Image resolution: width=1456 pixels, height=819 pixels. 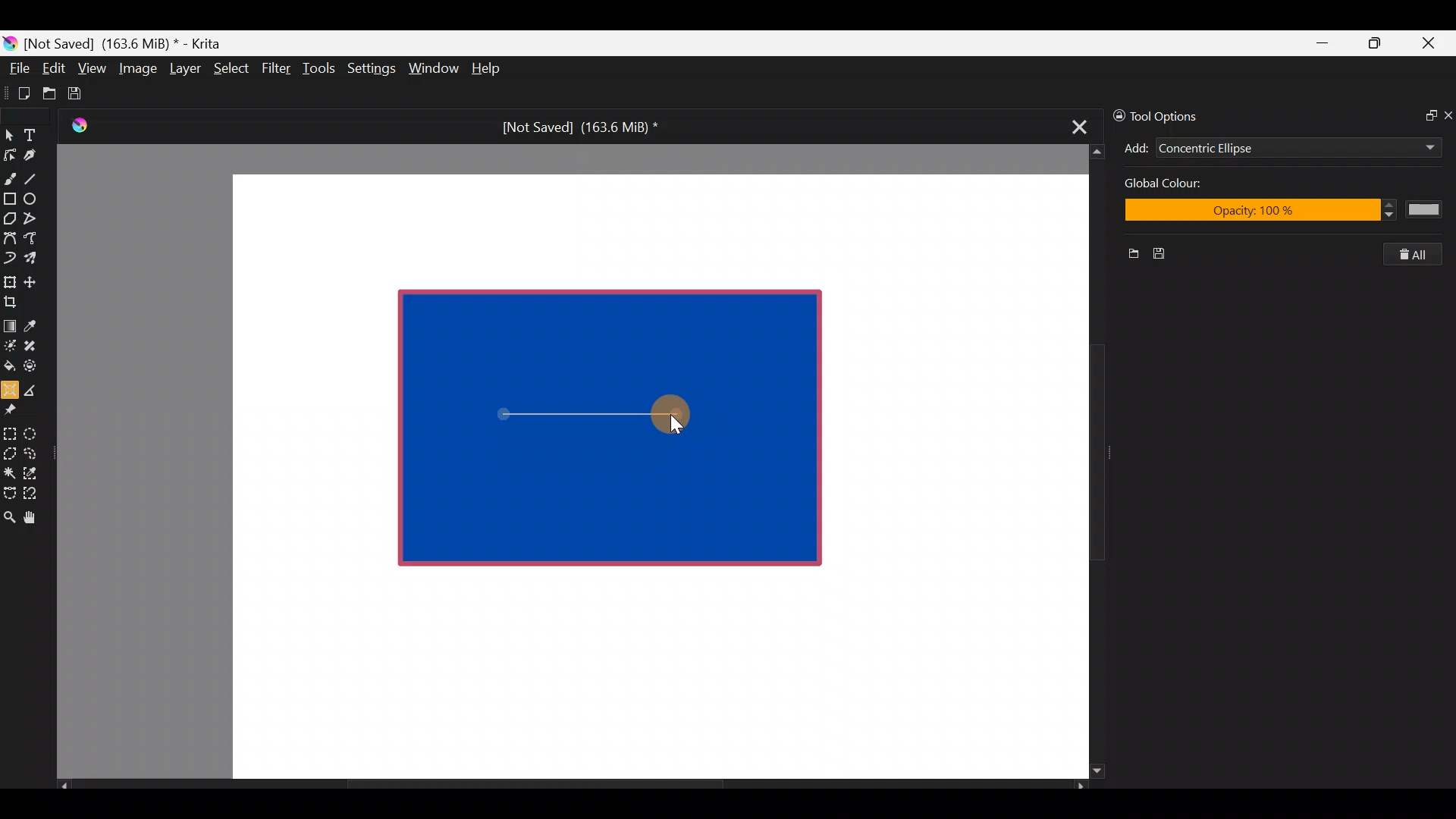 What do you see at coordinates (648, 475) in the screenshot?
I see `Canvas` at bounding box center [648, 475].